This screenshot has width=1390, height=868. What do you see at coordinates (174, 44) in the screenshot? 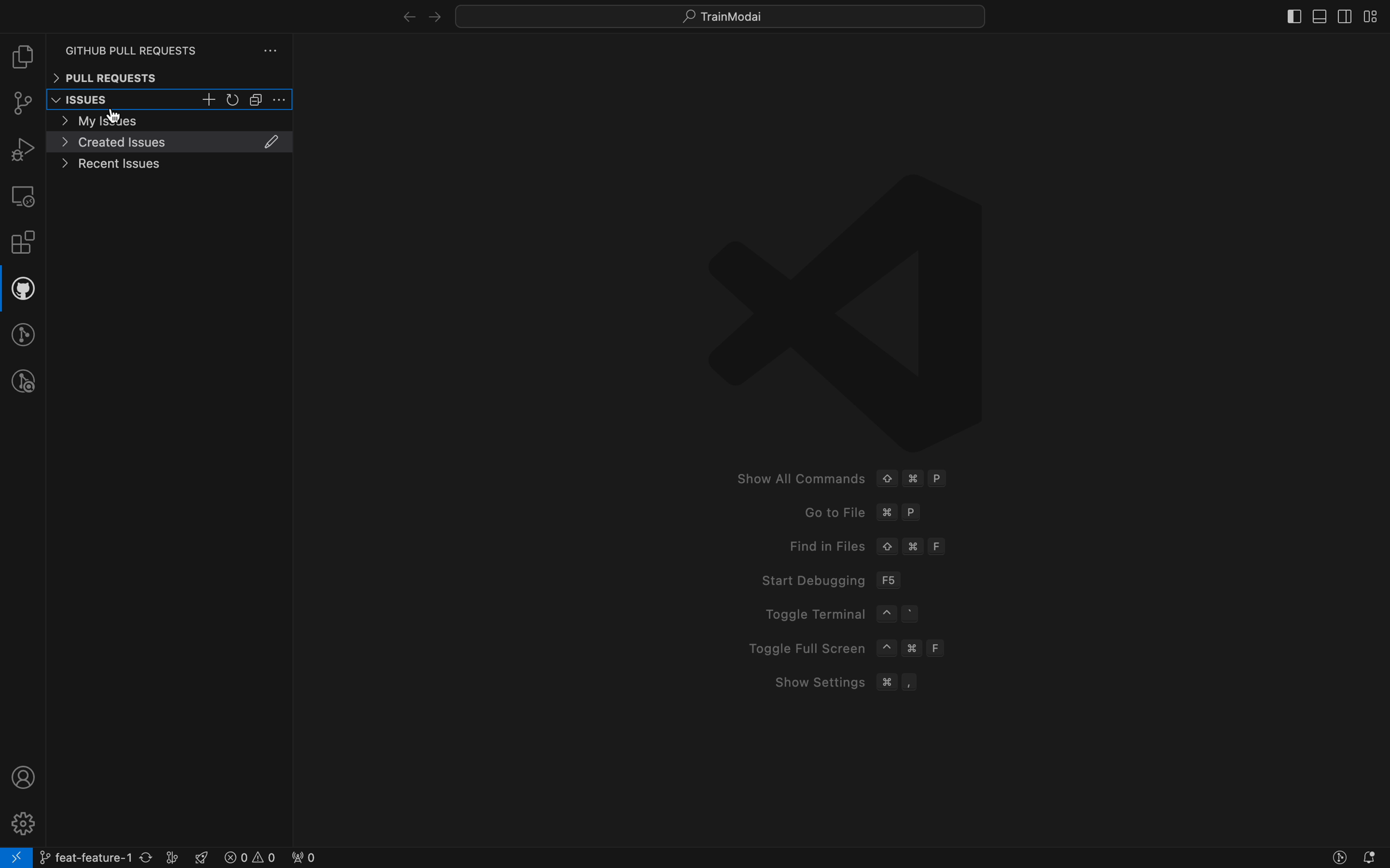
I see `requests` at bounding box center [174, 44].